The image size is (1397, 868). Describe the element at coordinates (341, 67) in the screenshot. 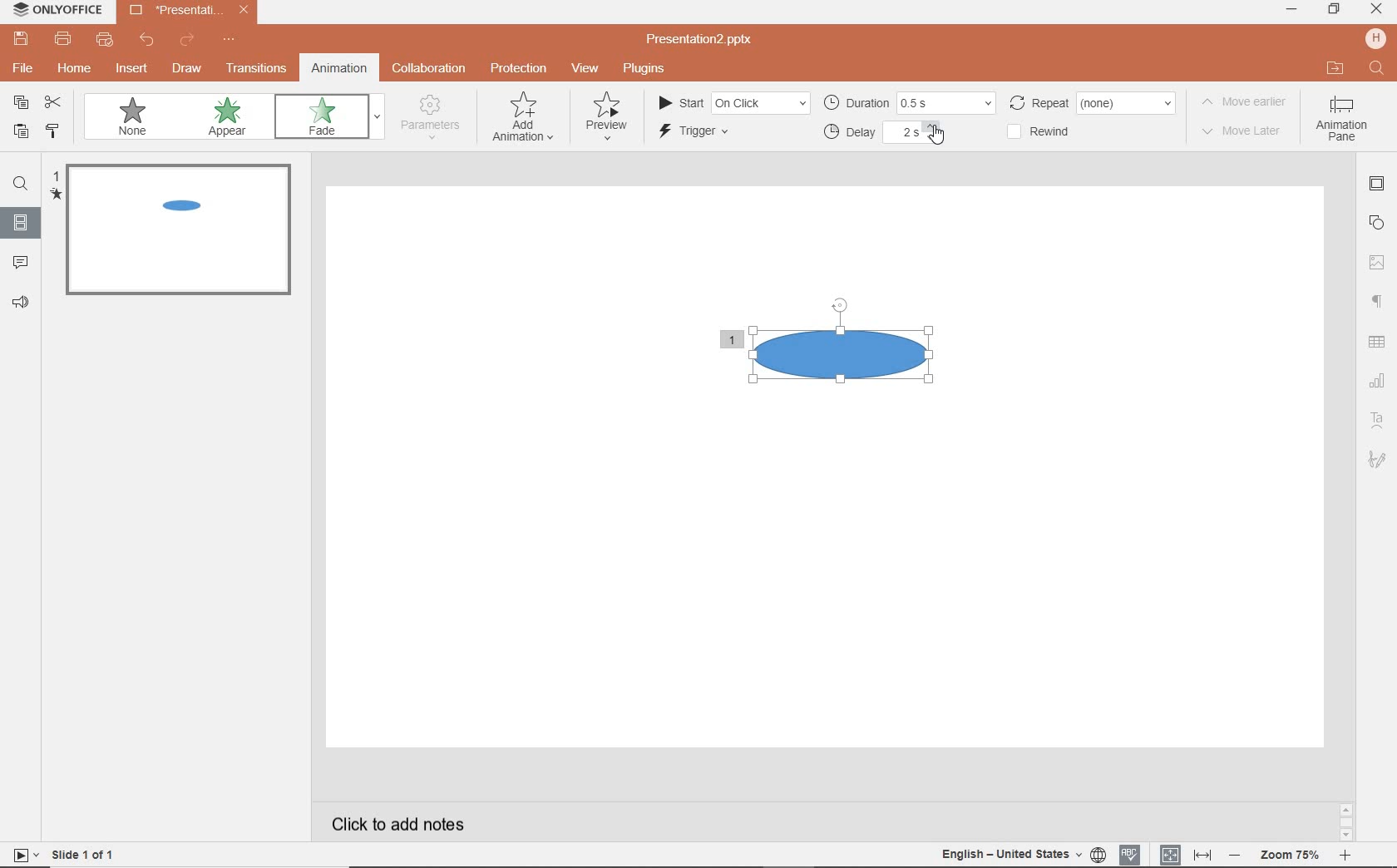

I see `animation` at that location.